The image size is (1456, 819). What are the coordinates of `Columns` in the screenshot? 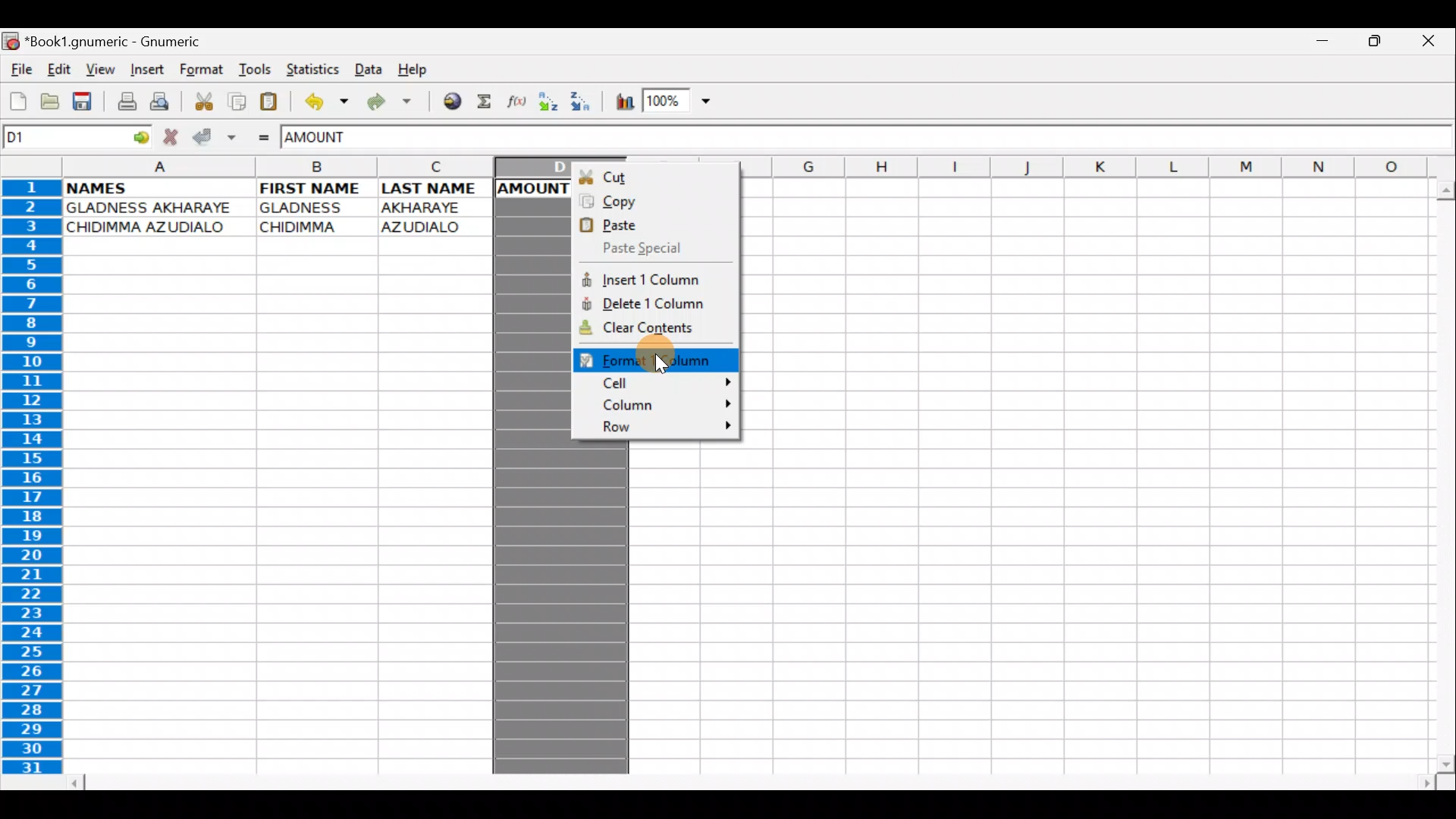 It's located at (315, 169).